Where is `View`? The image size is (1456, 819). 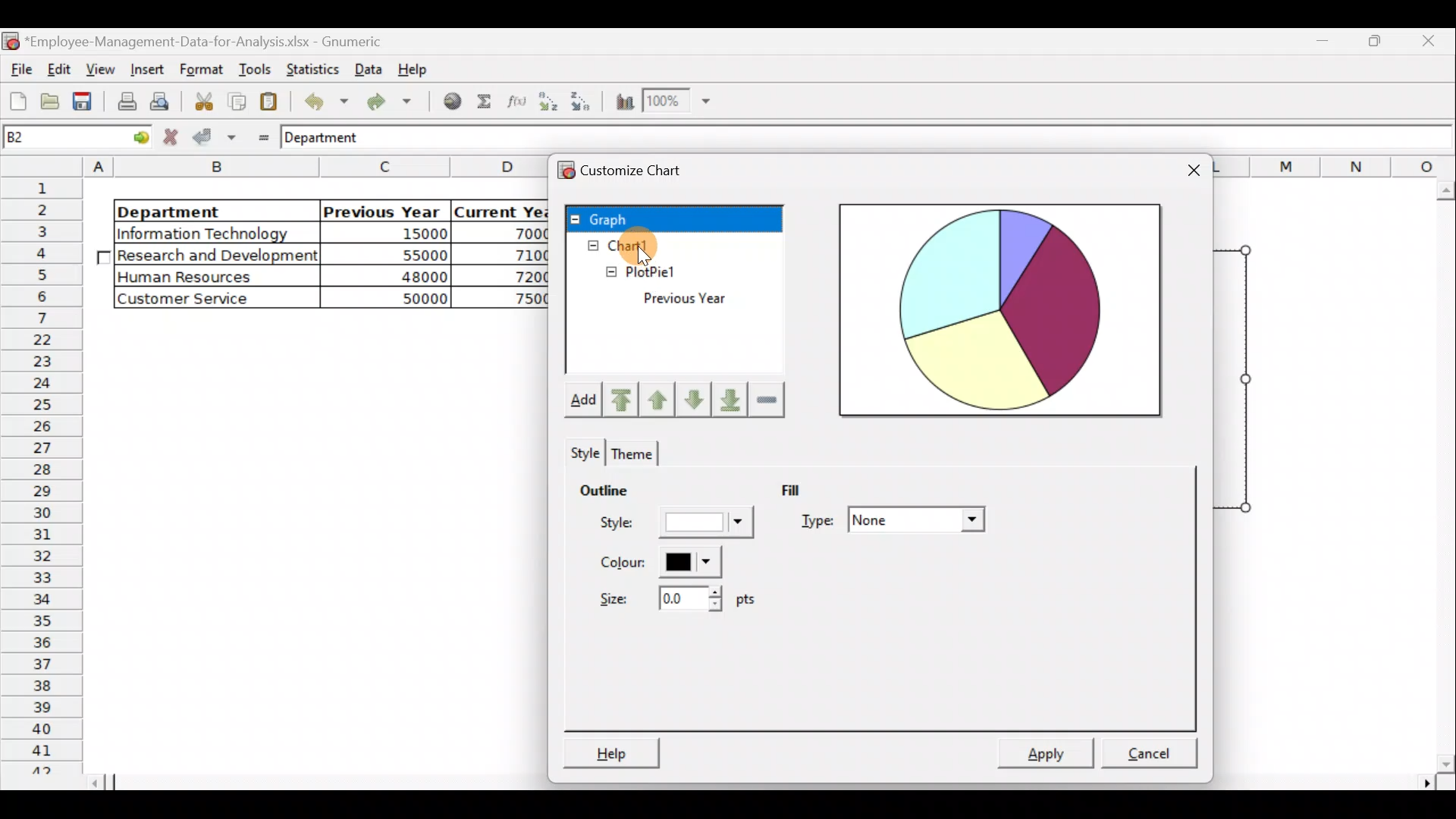
View is located at coordinates (103, 67).